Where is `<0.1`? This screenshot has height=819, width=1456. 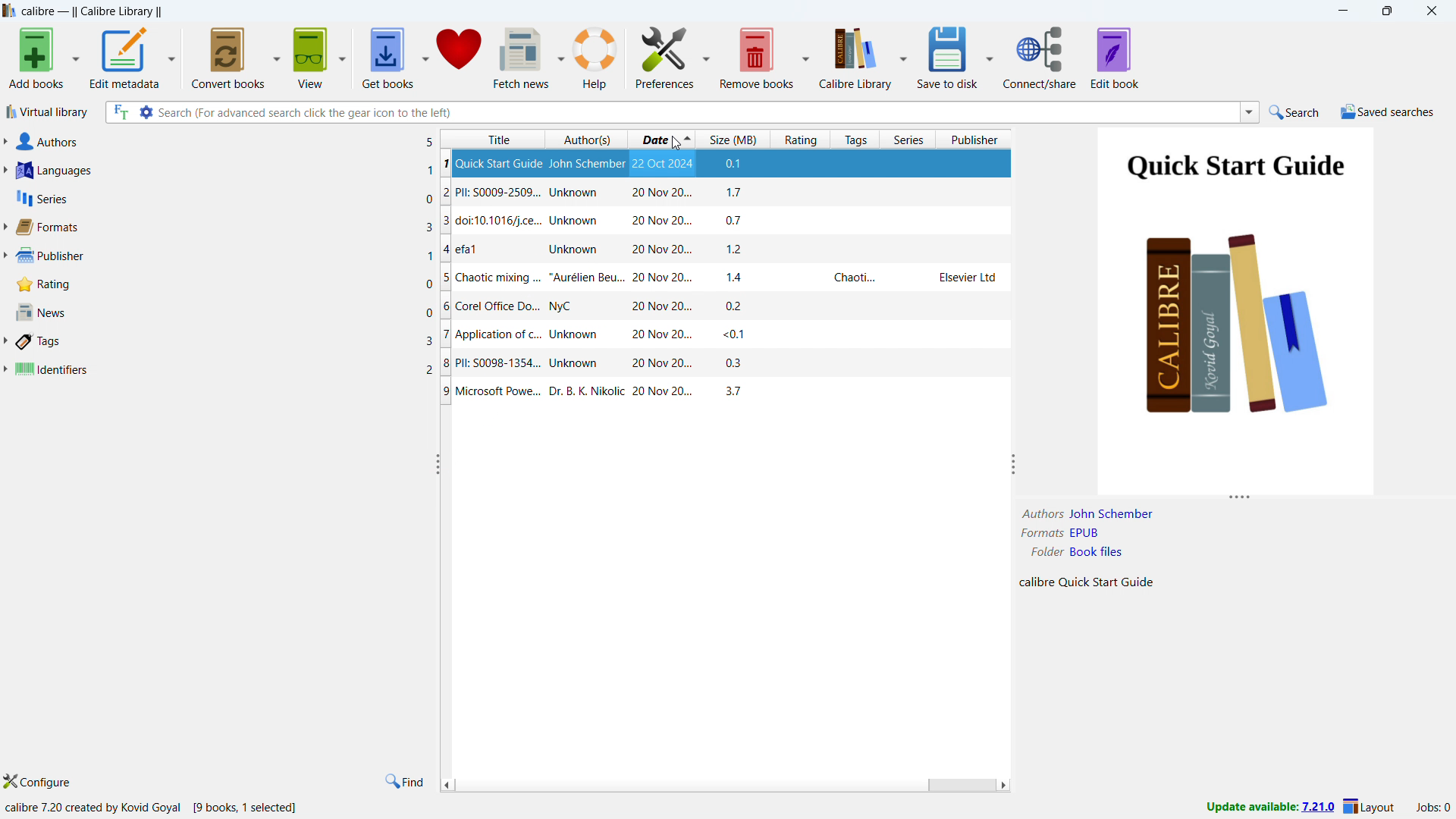 <0.1 is located at coordinates (735, 165).